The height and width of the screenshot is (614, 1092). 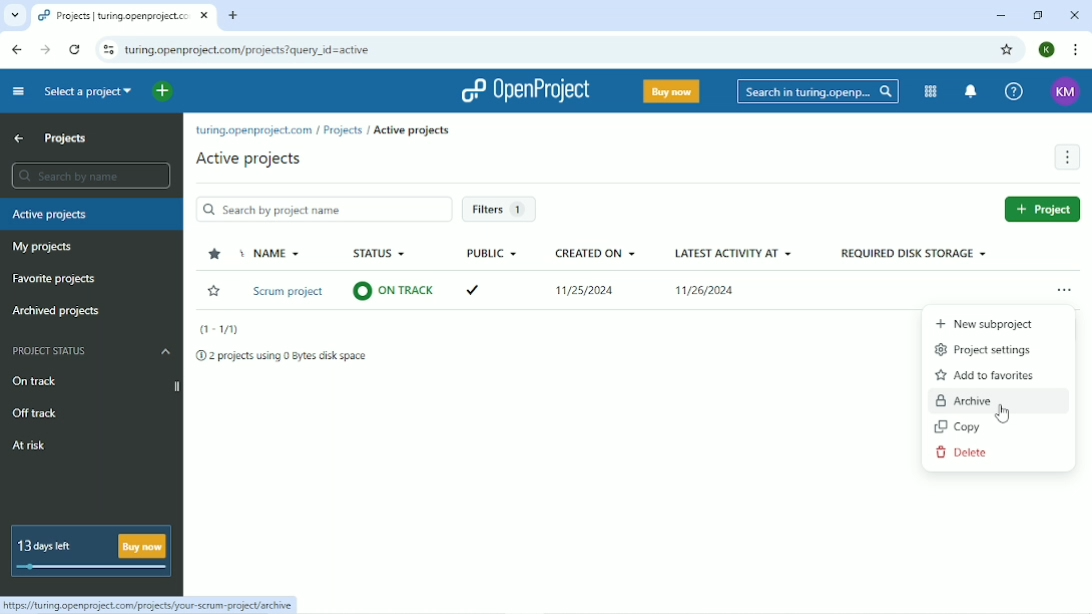 I want to click on Close, so click(x=1074, y=15).